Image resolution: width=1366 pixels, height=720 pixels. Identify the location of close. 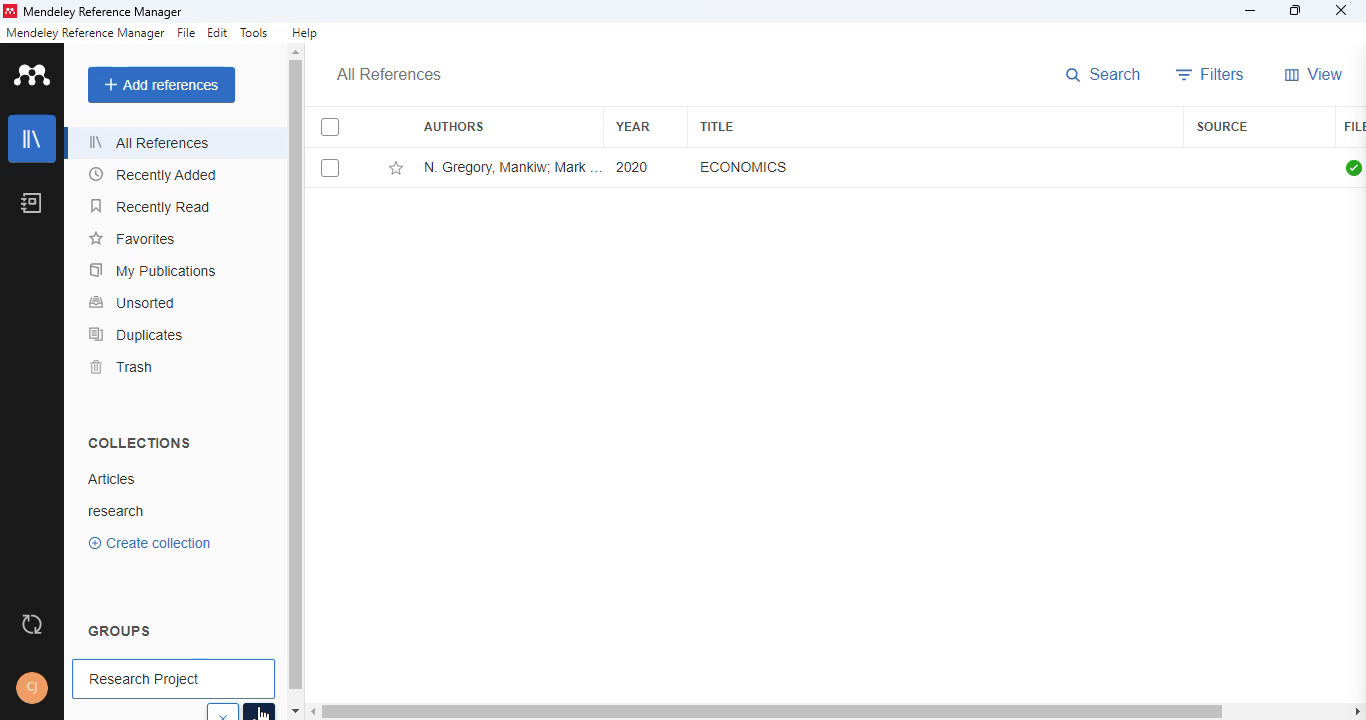
(1343, 11).